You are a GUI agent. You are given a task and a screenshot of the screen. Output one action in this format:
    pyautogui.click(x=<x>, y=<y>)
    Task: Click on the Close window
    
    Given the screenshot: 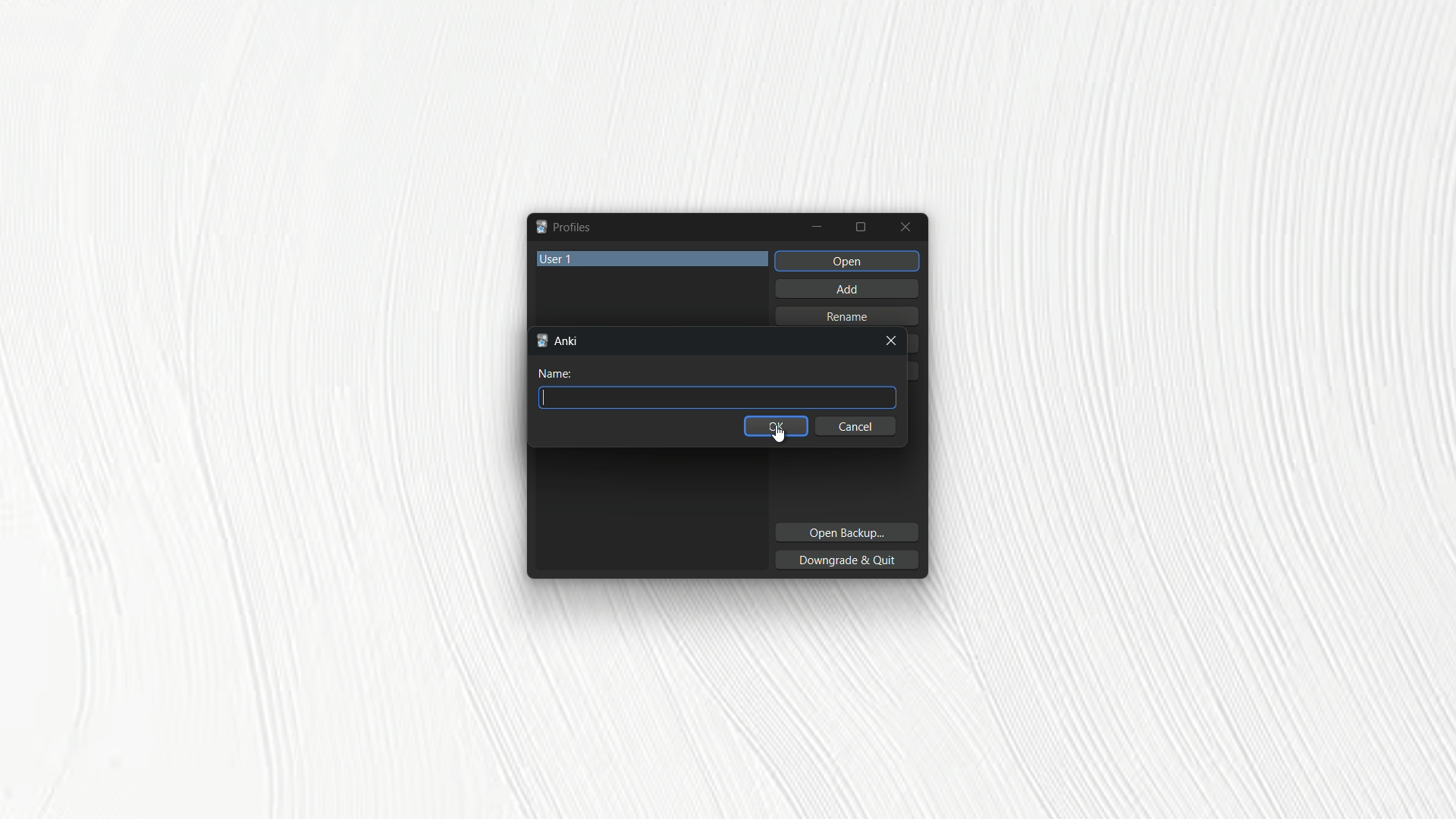 What is the action you would take?
    pyautogui.click(x=907, y=227)
    